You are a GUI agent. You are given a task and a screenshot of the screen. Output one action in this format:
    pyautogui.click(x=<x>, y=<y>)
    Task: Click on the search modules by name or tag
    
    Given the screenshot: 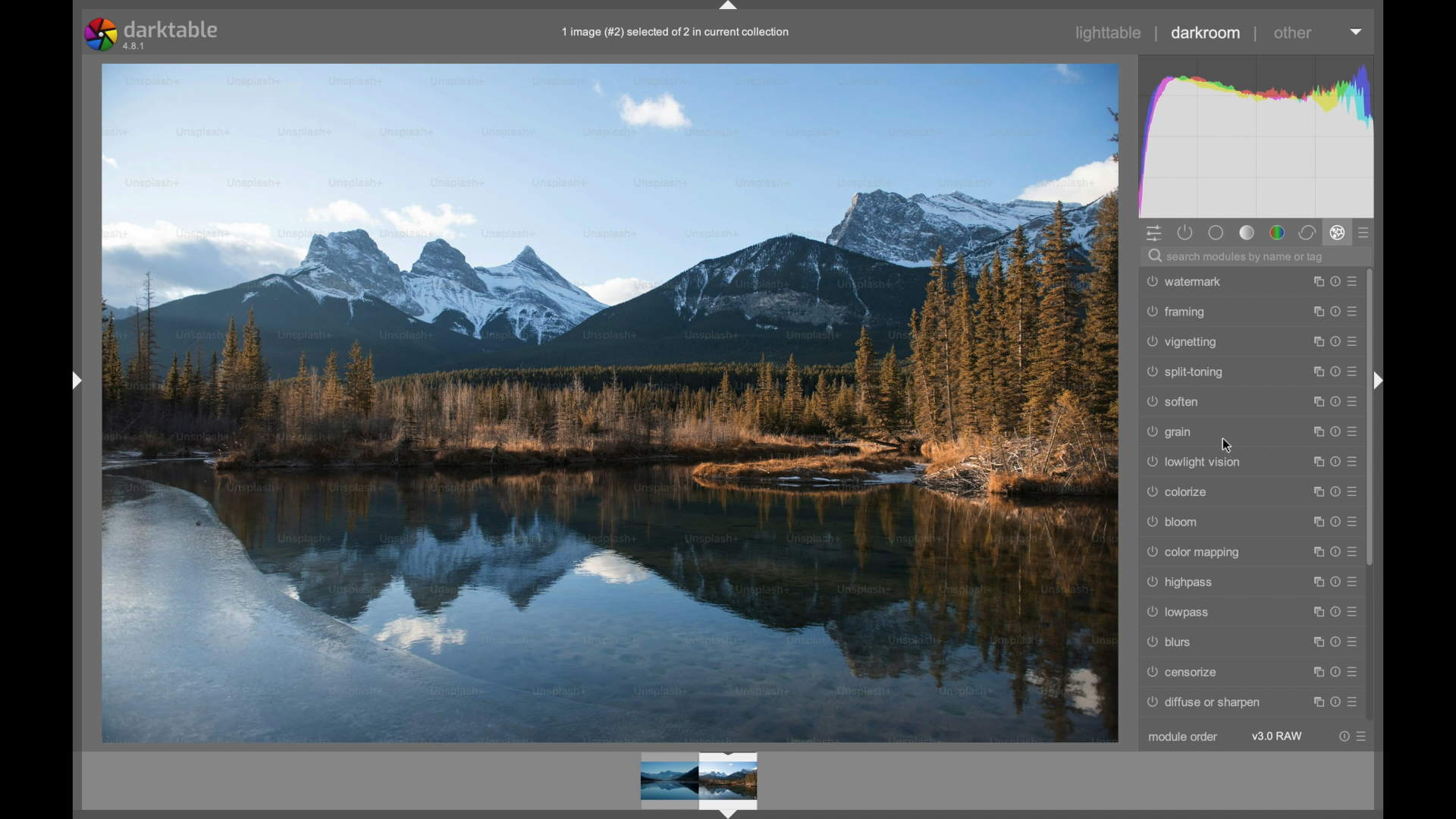 What is the action you would take?
    pyautogui.click(x=1236, y=256)
    